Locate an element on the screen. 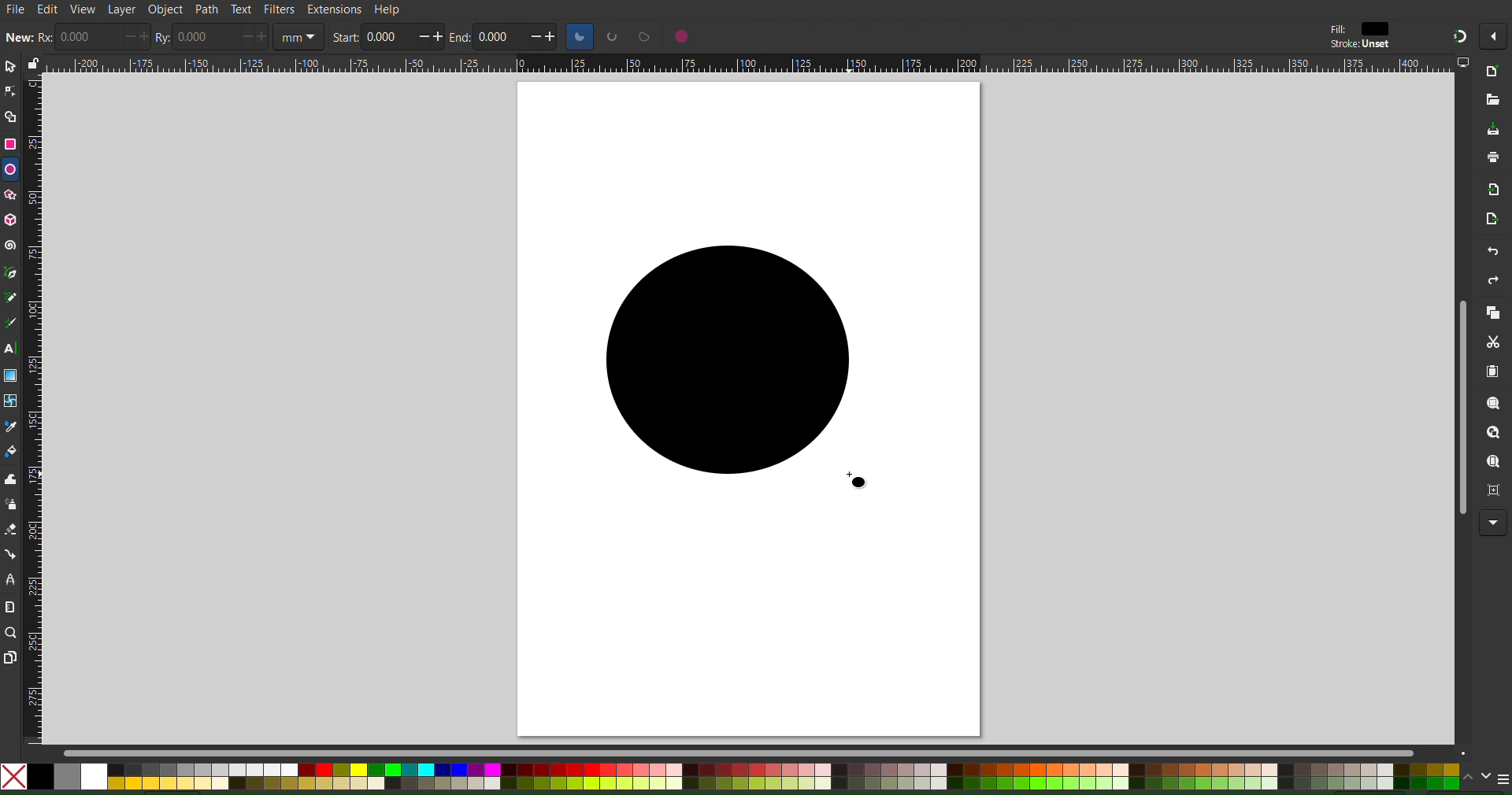  Layer  is located at coordinates (122, 11).